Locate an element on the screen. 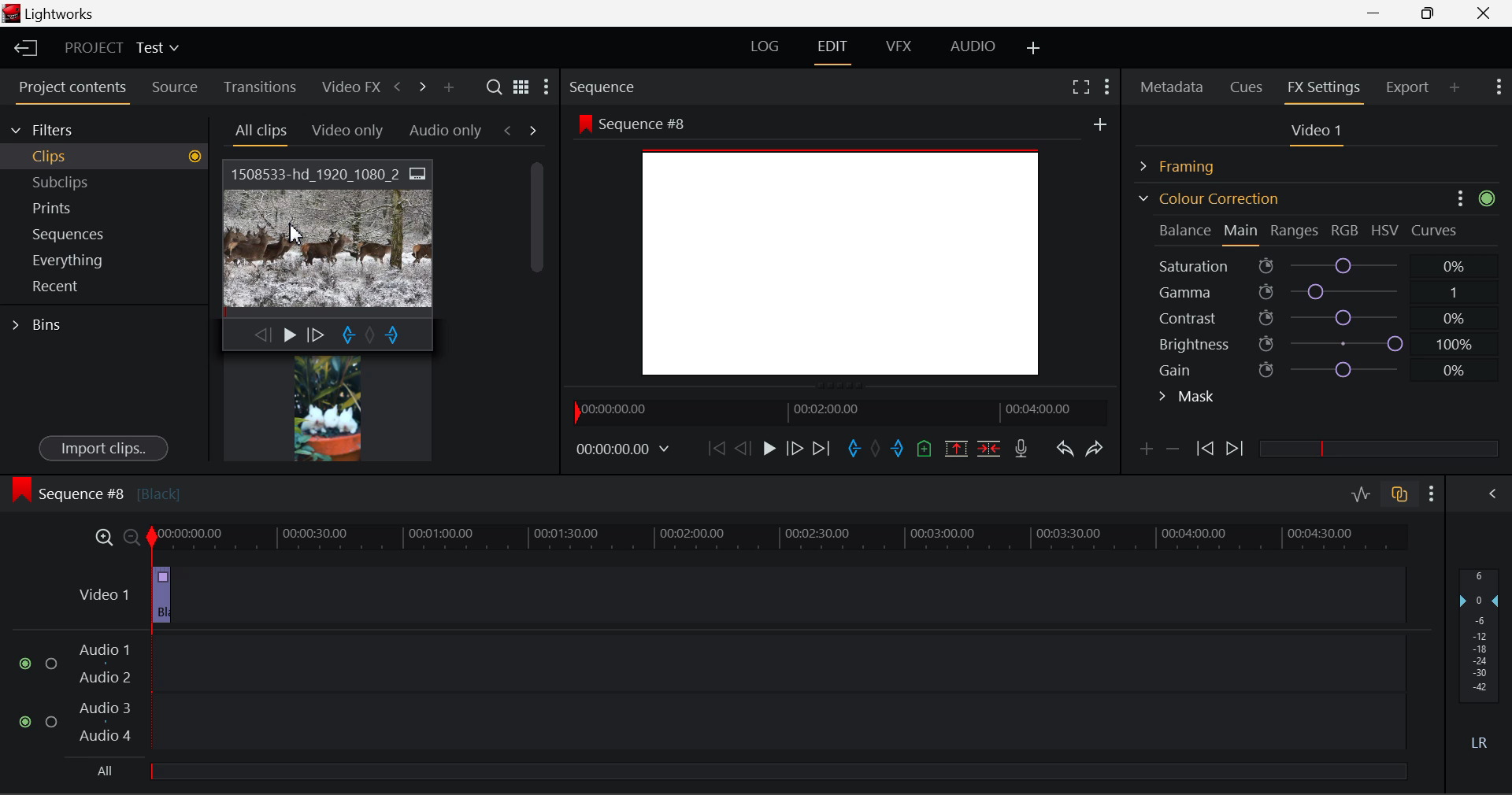 The width and height of the screenshot is (1512, 795). Mark Out is located at coordinates (899, 449).